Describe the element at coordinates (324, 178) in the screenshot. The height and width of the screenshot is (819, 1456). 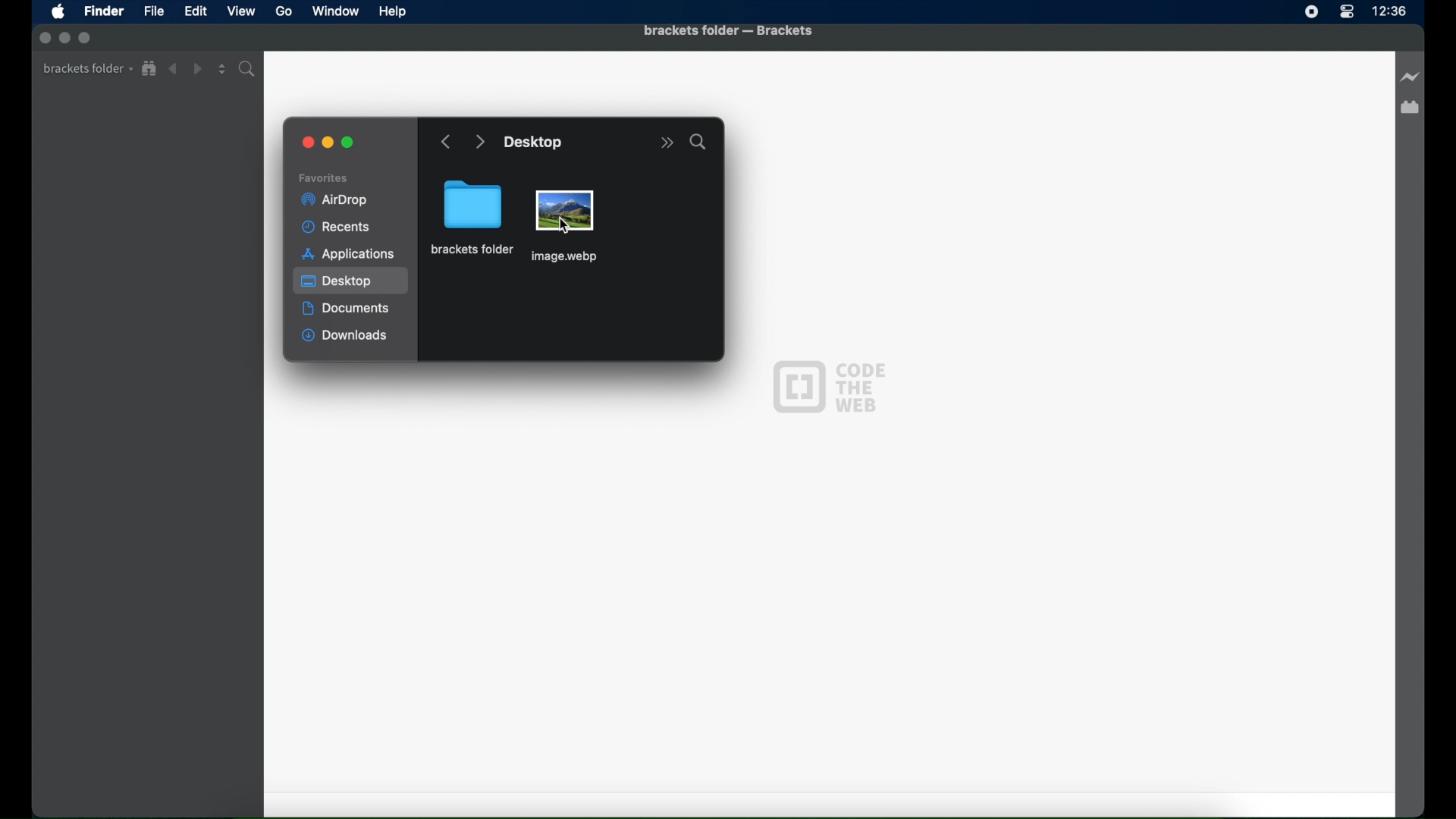
I see `favorites` at that location.